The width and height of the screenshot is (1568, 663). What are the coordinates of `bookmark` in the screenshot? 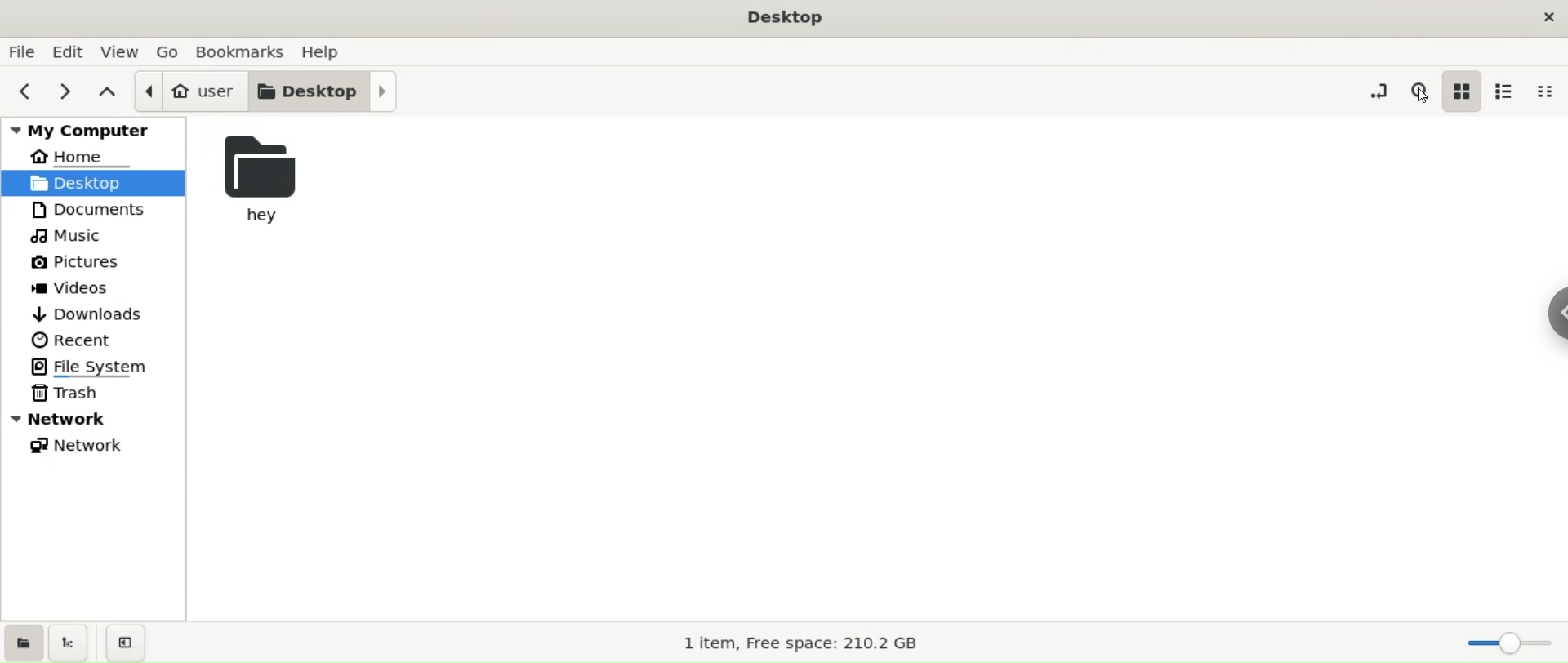 It's located at (242, 51).